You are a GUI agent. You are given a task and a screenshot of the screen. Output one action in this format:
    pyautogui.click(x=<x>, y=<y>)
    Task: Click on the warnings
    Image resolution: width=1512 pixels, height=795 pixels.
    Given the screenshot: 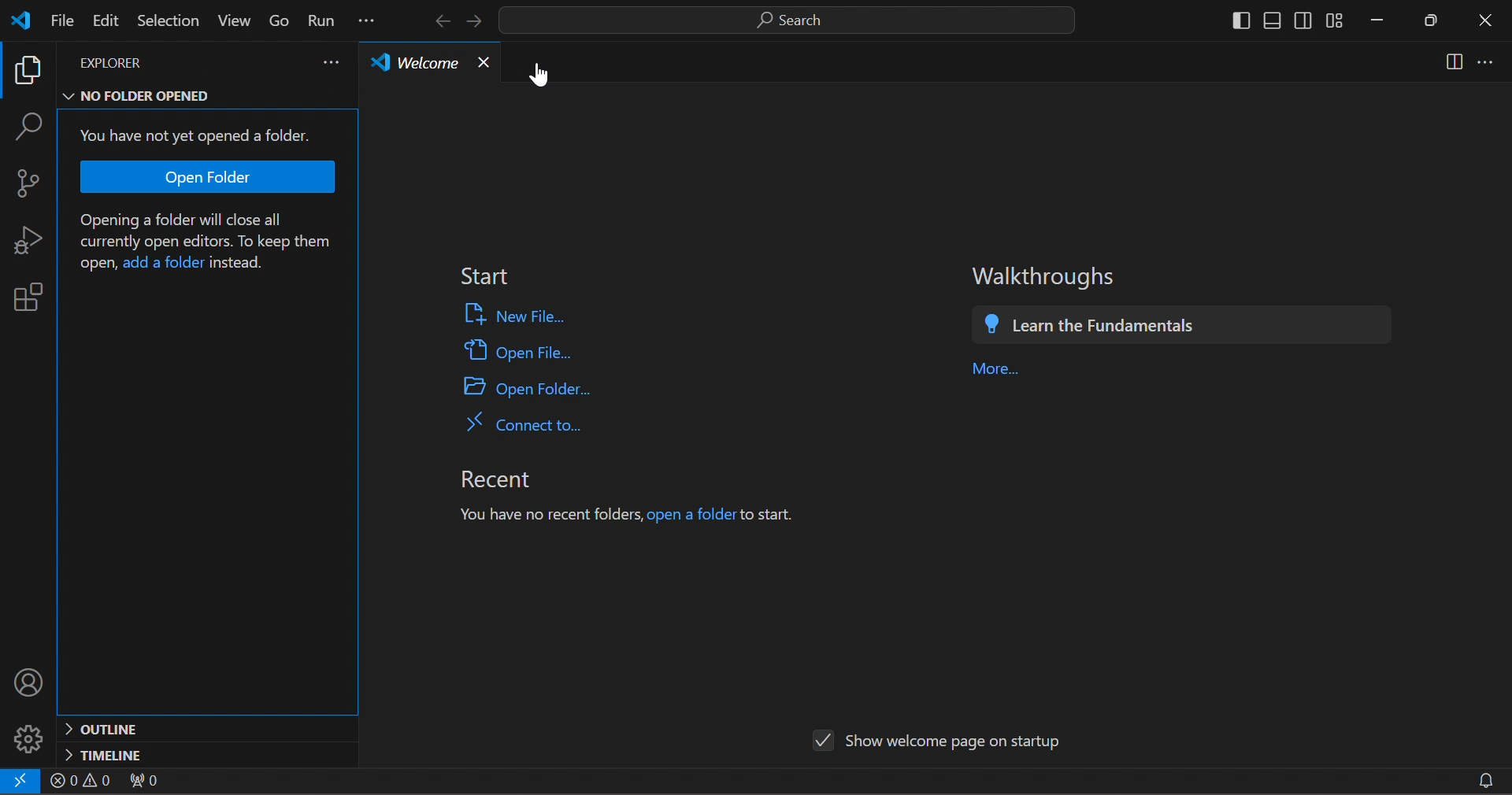 What is the action you would take?
    pyautogui.click(x=82, y=780)
    